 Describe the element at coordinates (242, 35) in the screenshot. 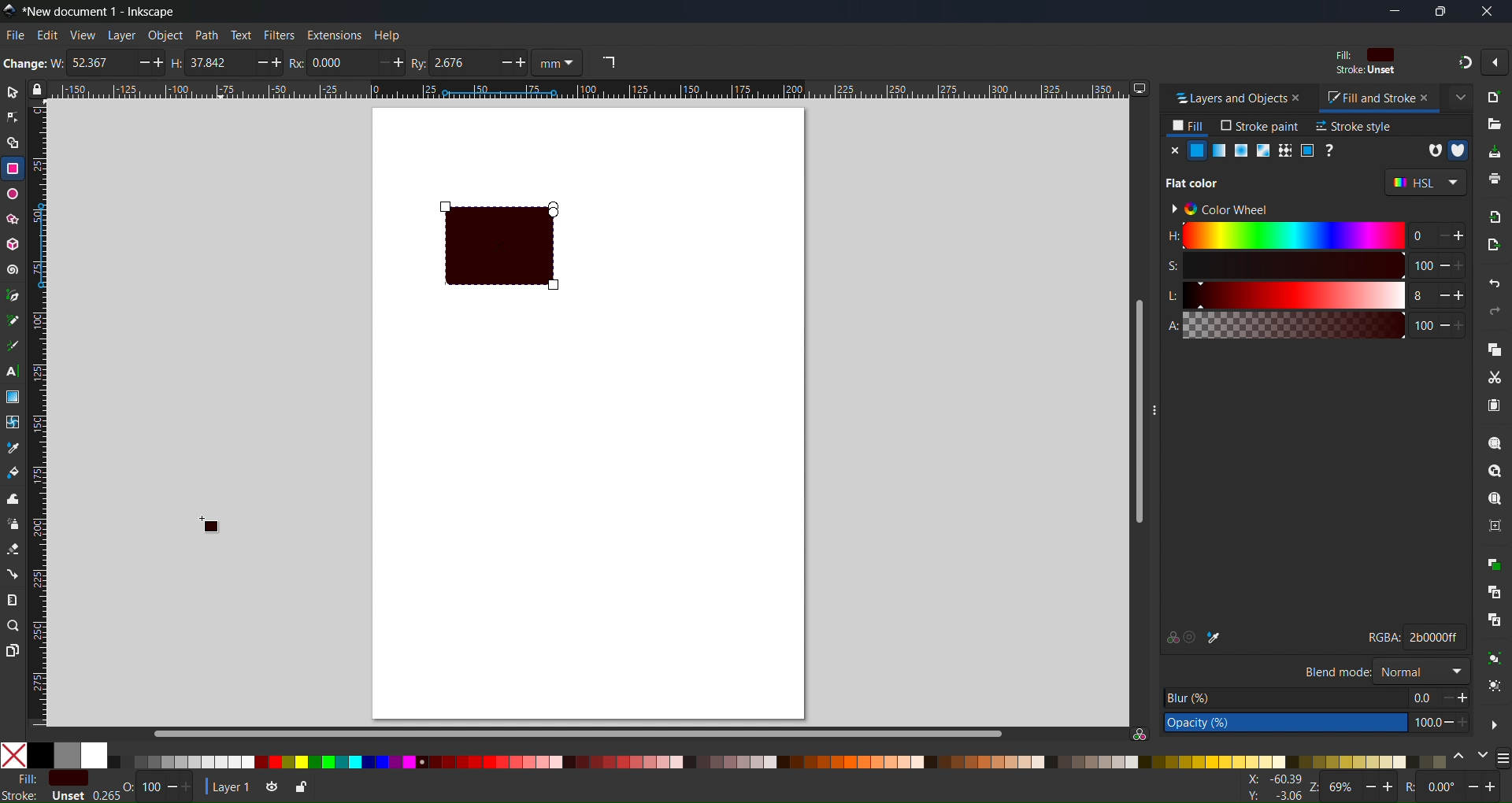

I see `Text` at that location.